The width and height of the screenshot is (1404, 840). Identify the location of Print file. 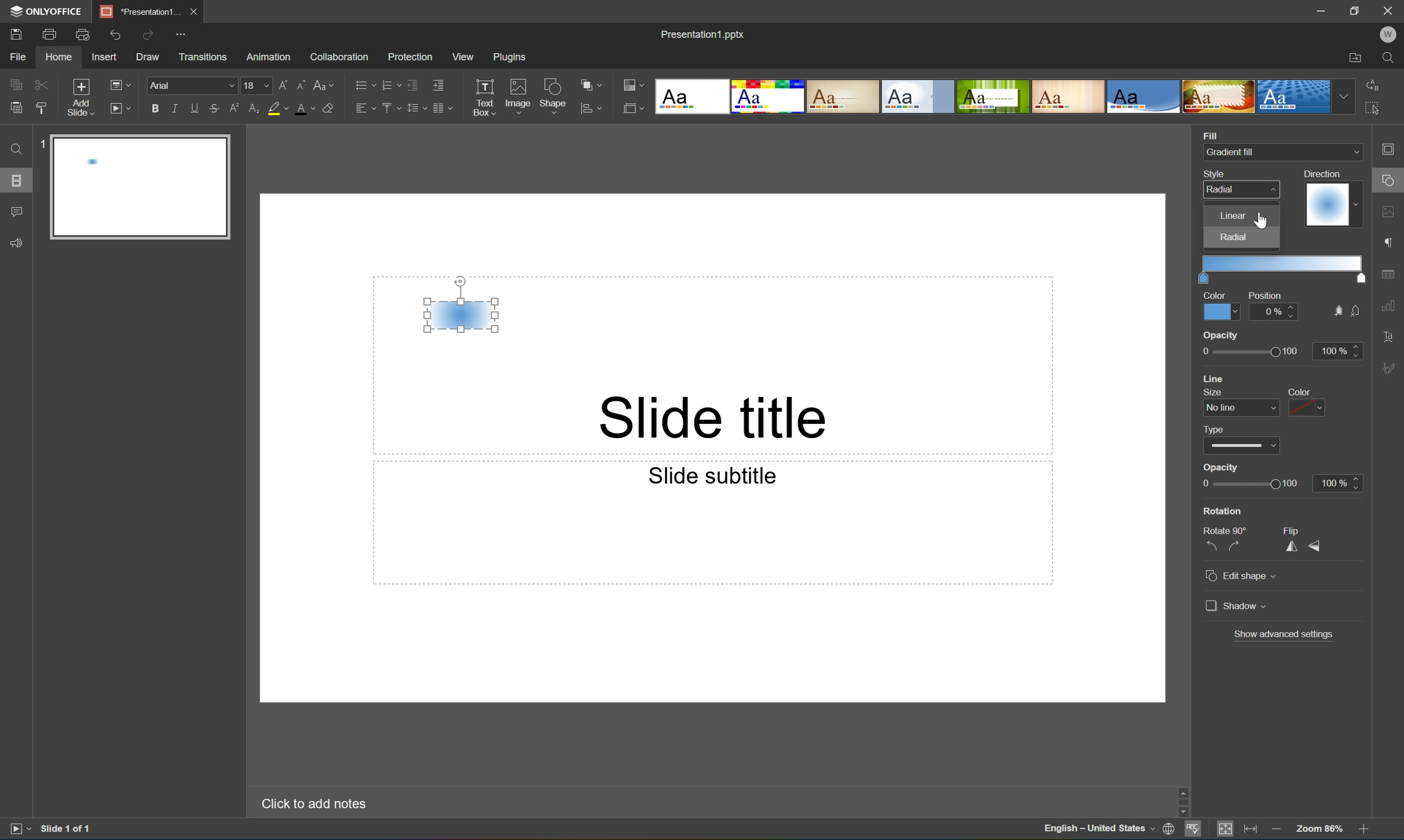
(50, 35).